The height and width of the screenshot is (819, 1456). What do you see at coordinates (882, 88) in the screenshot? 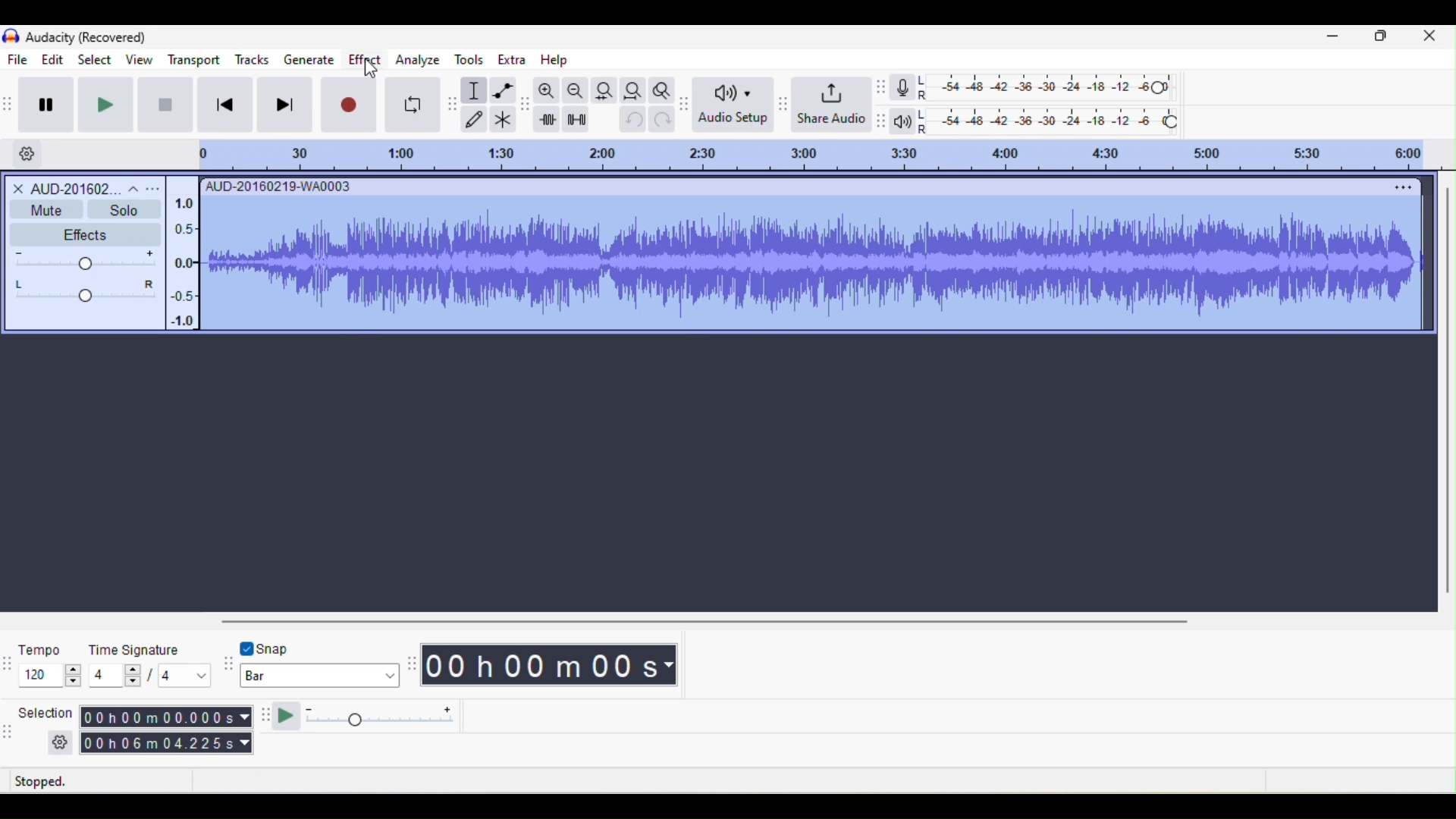
I see `audacity recording meter toolbar` at bounding box center [882, 88].